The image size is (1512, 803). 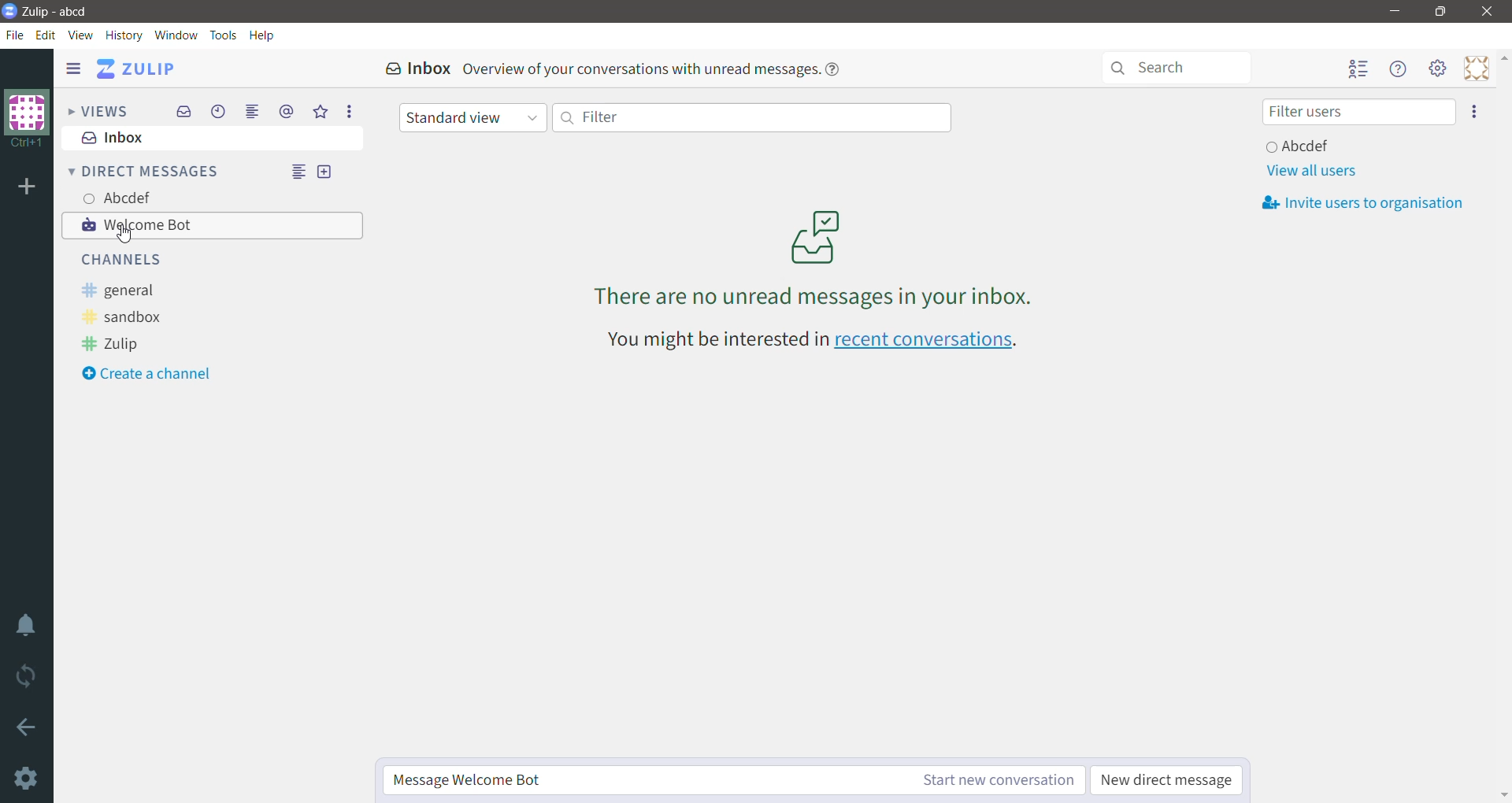 I want to click on Inbox, so click(x=211, y=139).